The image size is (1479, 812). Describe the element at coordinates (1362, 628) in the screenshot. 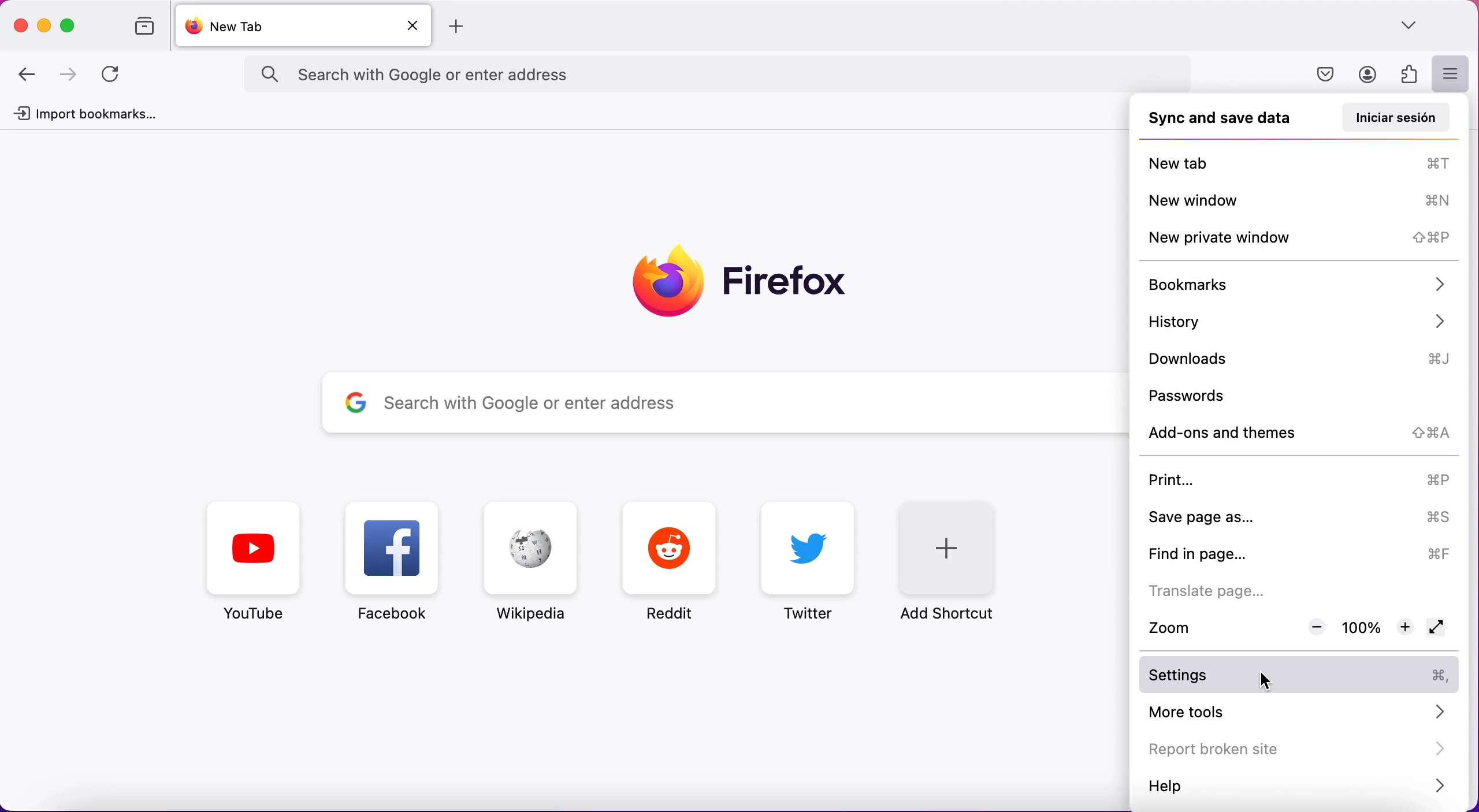

I see `100%` at that location.